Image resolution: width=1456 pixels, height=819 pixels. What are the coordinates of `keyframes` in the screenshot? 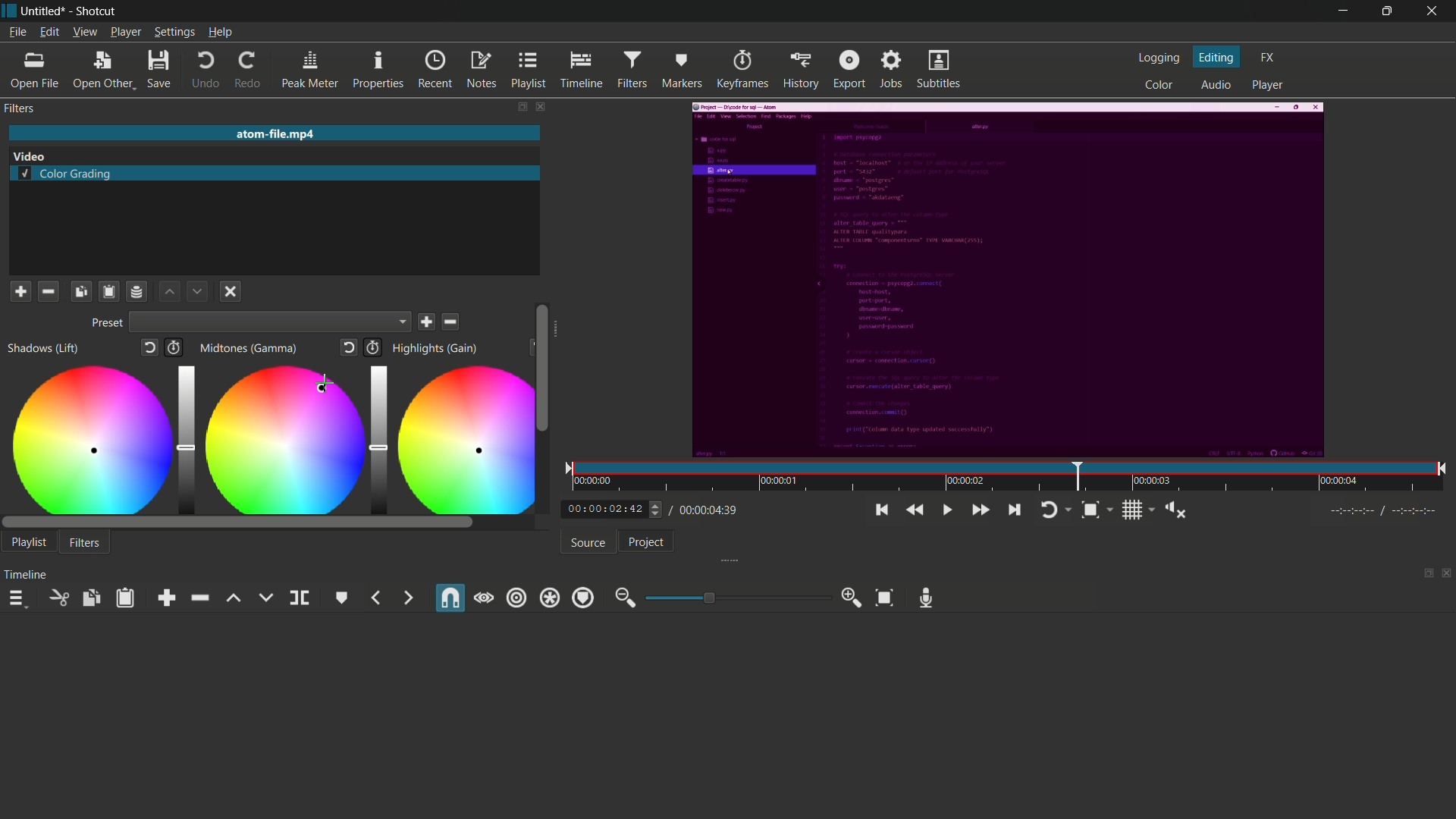 It's located at (742, 70).